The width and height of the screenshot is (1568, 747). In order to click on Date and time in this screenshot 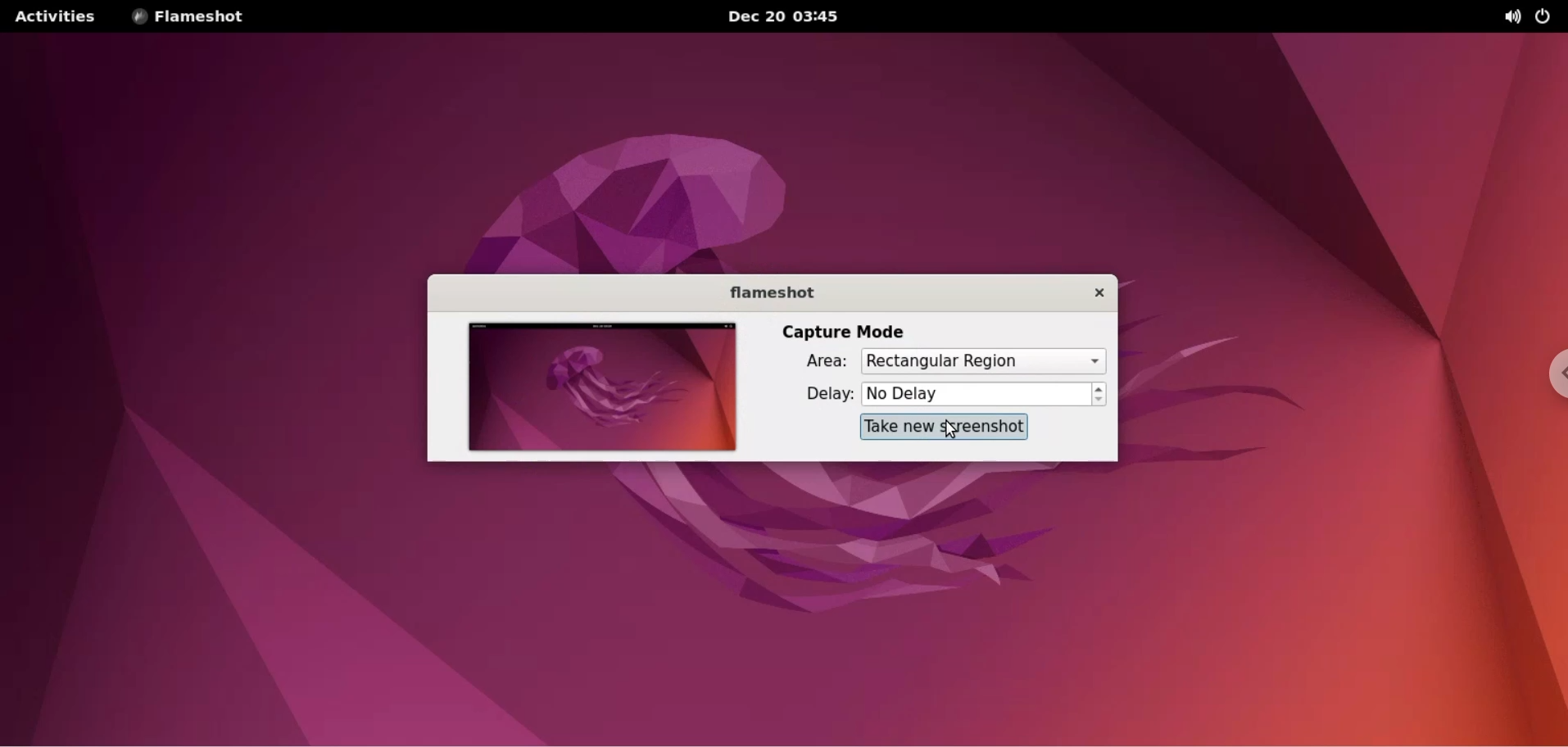, I will do `click(791, 17)`.